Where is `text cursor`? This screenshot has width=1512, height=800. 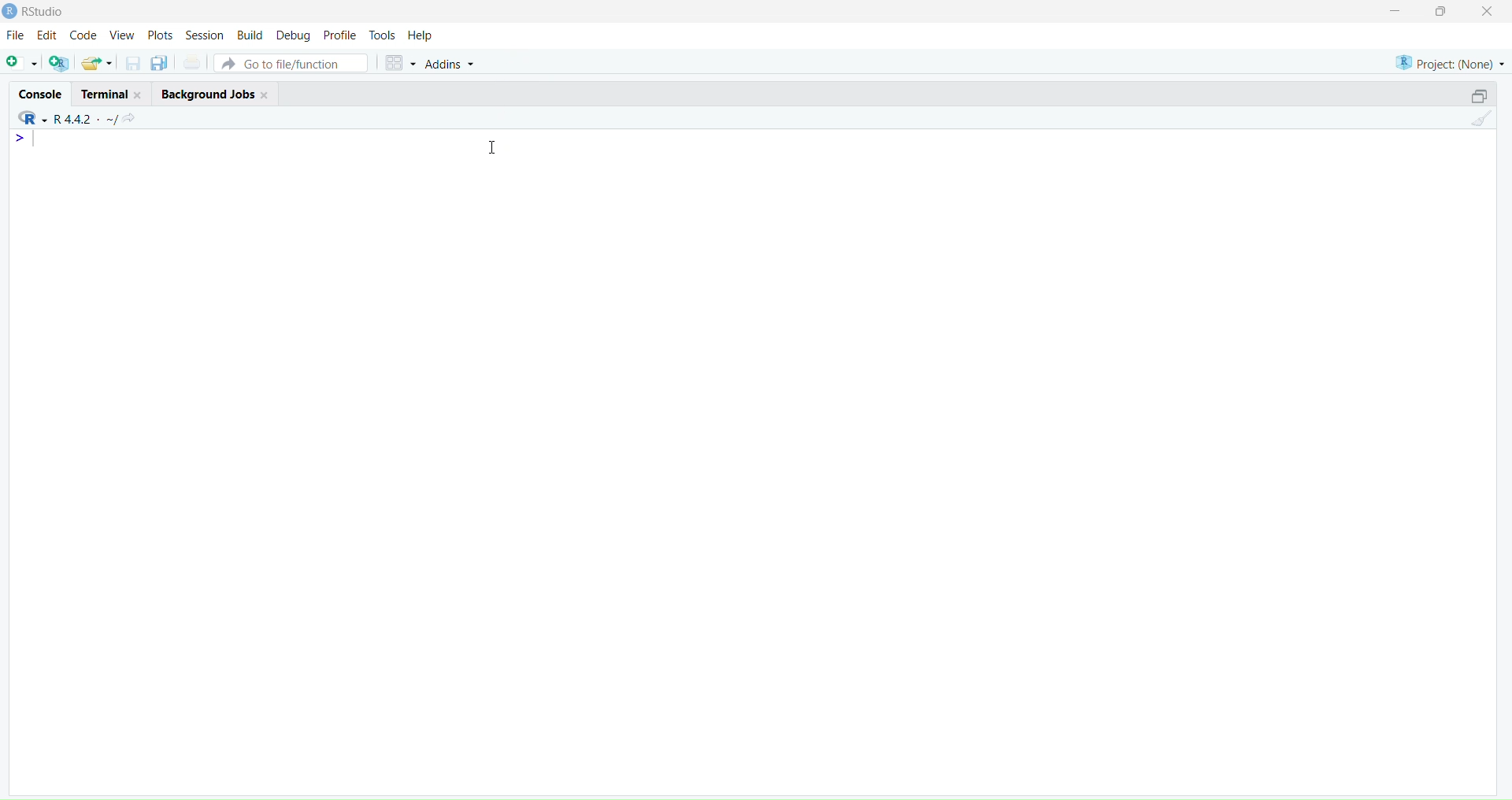 text cursor is located at coordinates (32, 141).